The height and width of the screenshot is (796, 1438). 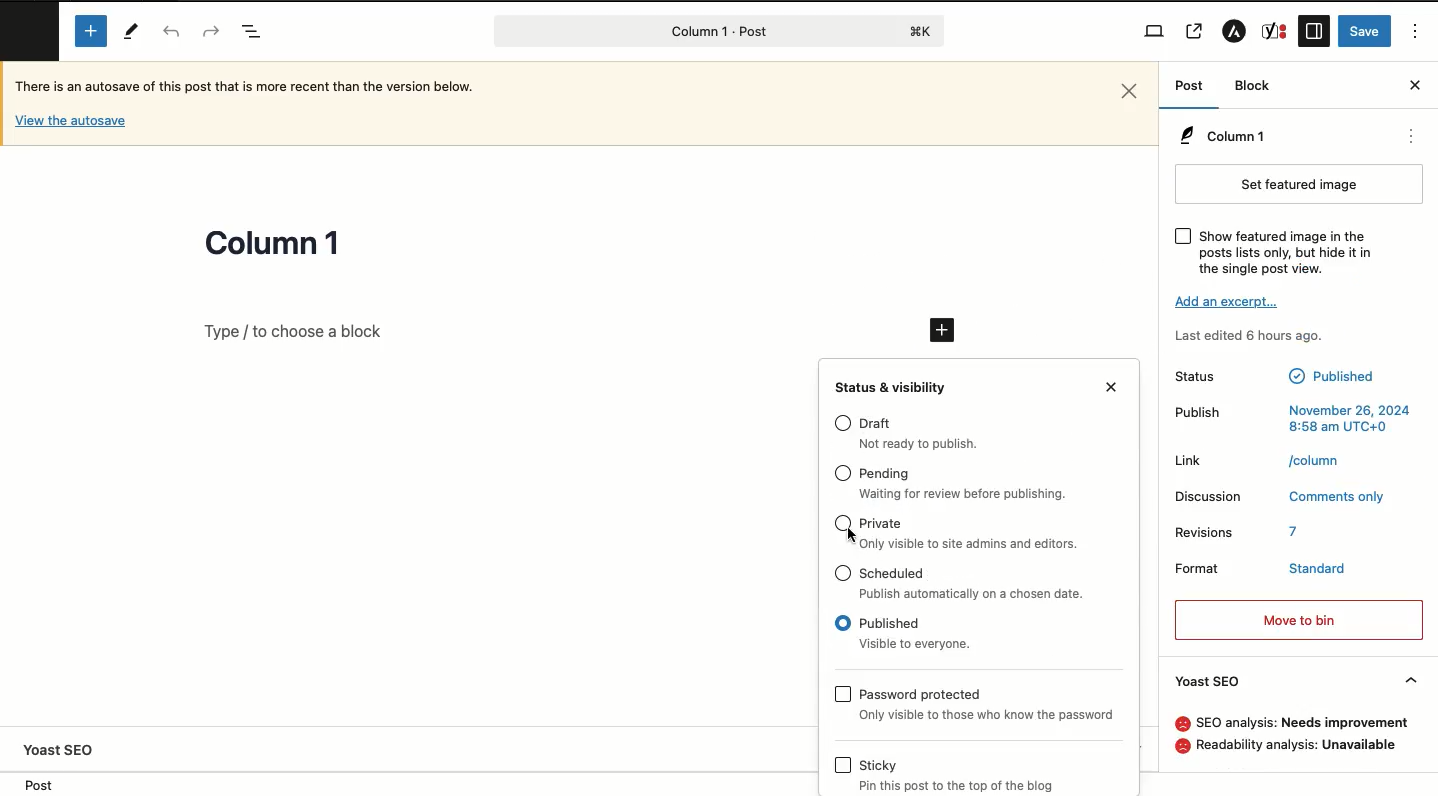 What do you see at coordinates (1334, 378) in the screenshot?
I see `Published ` at bounding box center [1334, 378].